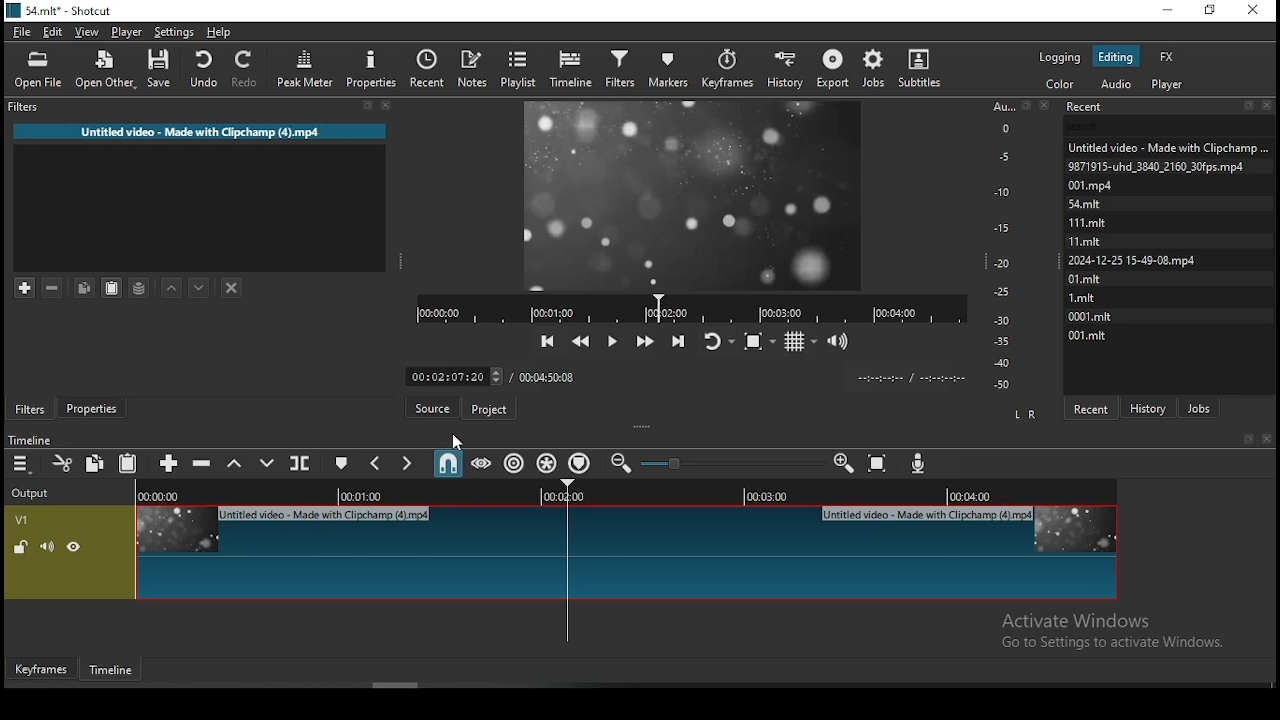  What do you see at coordinates (61, 10) in the screenshot?
I see `icon and file name` at bounding box center [61, 10].